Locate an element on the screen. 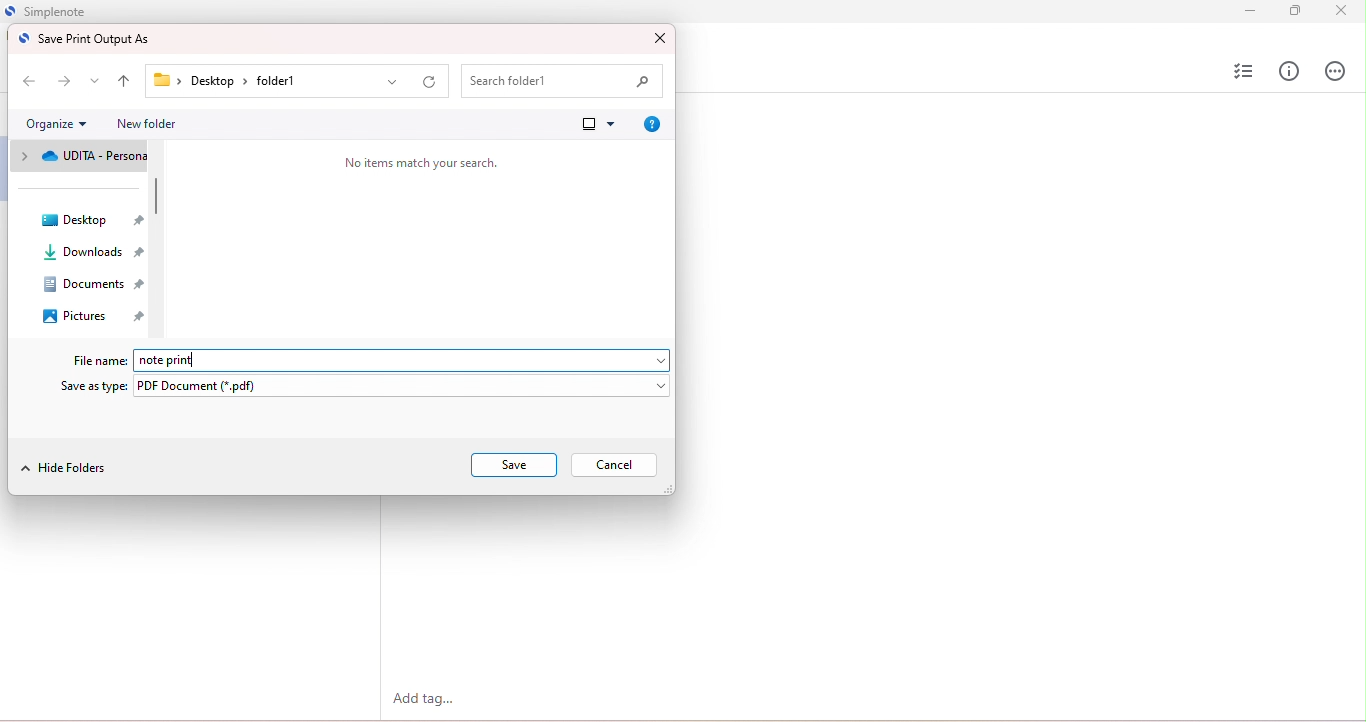  udita-personal is located at coordinates (82, 158).